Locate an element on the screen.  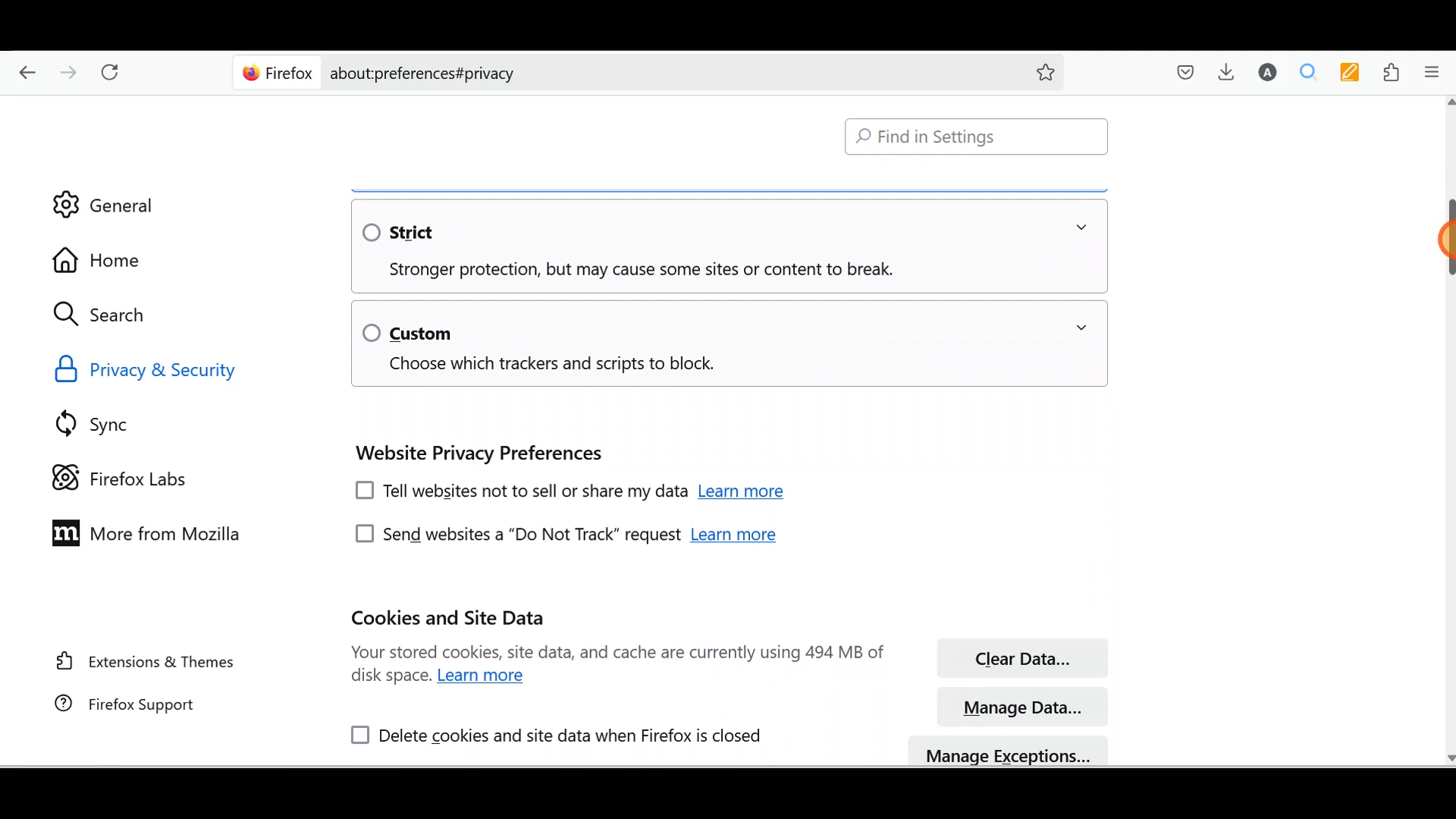
add to favorites is located at coordinates (1046, 74).